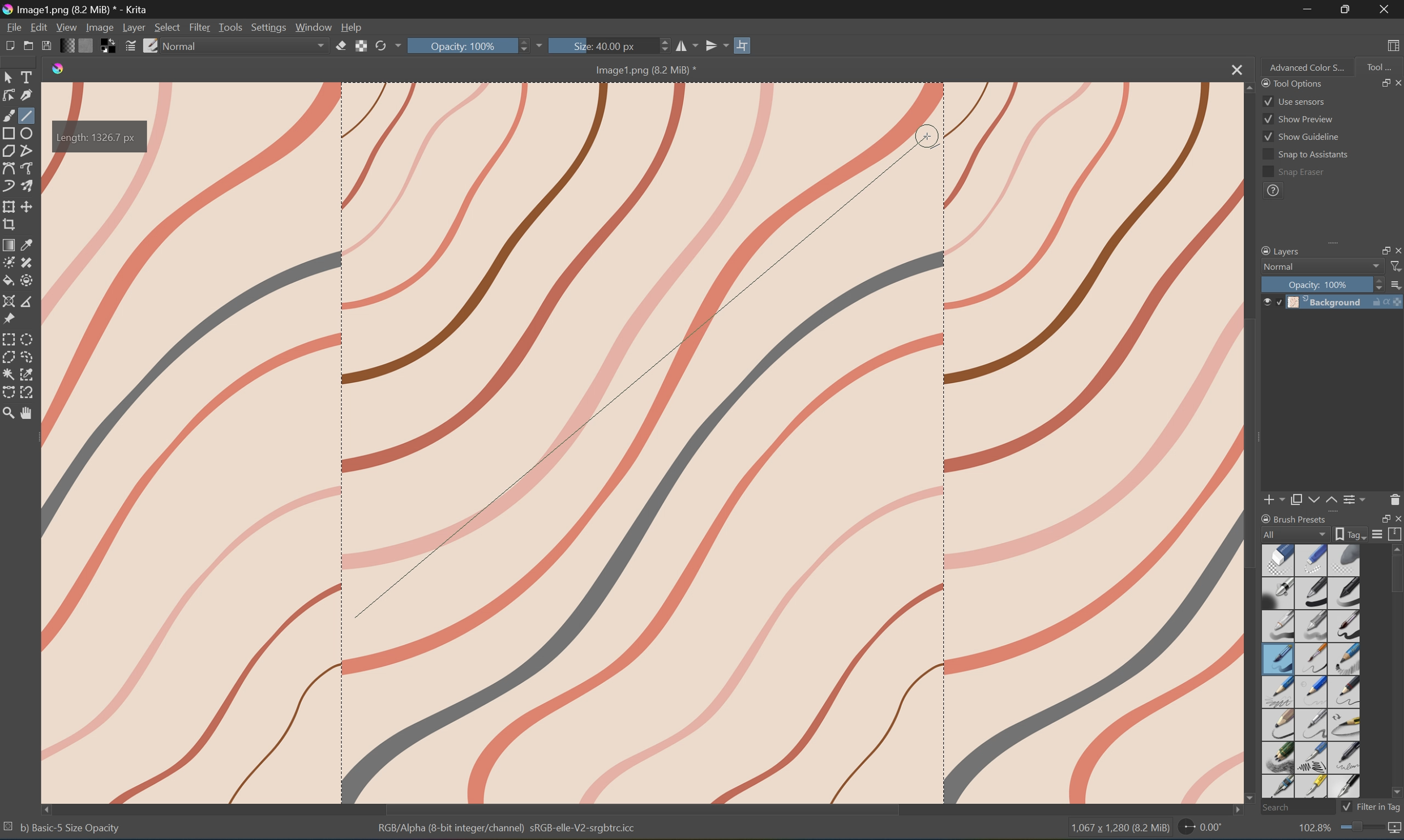 The height and width of the screenshot is (840, 1404). What do you see at coordinates (10, 302) in the screenshot?
I see `Assistant tool` at bounding box center [10, 302].